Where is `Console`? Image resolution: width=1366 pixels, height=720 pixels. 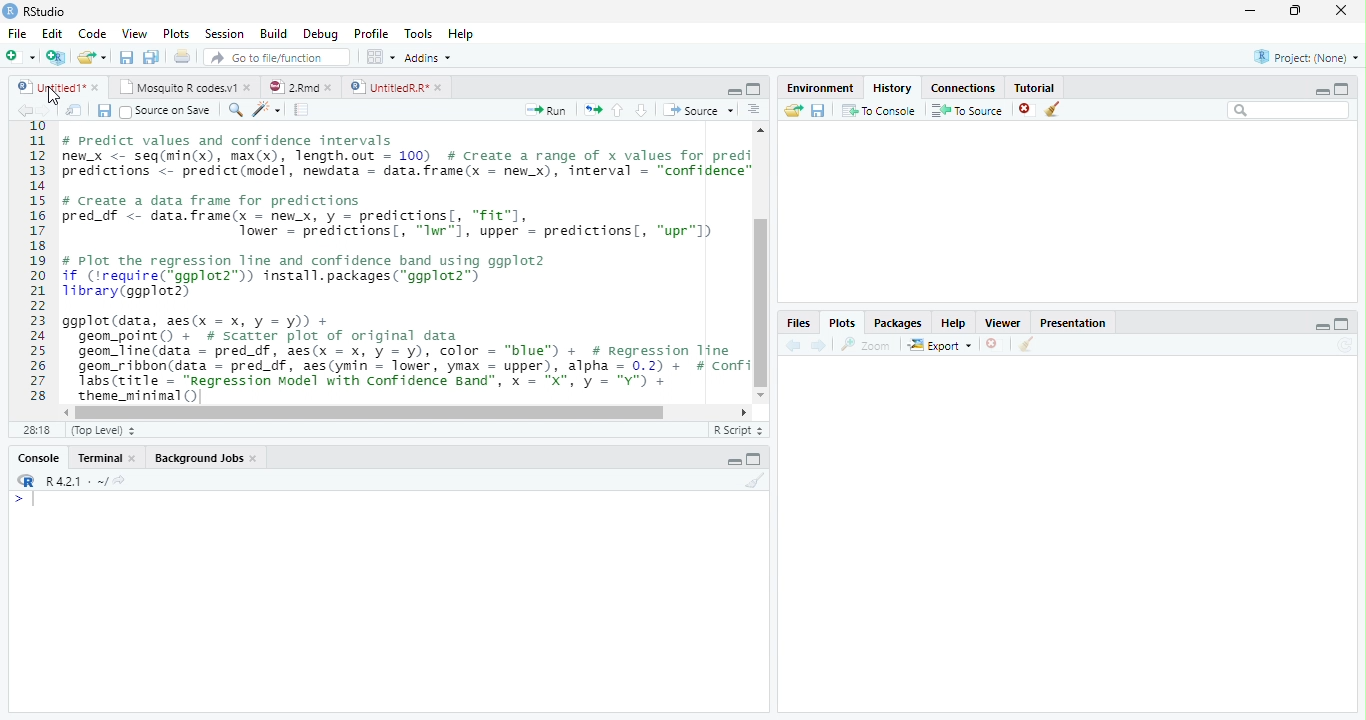
Console is located at coordinates (37, 455).